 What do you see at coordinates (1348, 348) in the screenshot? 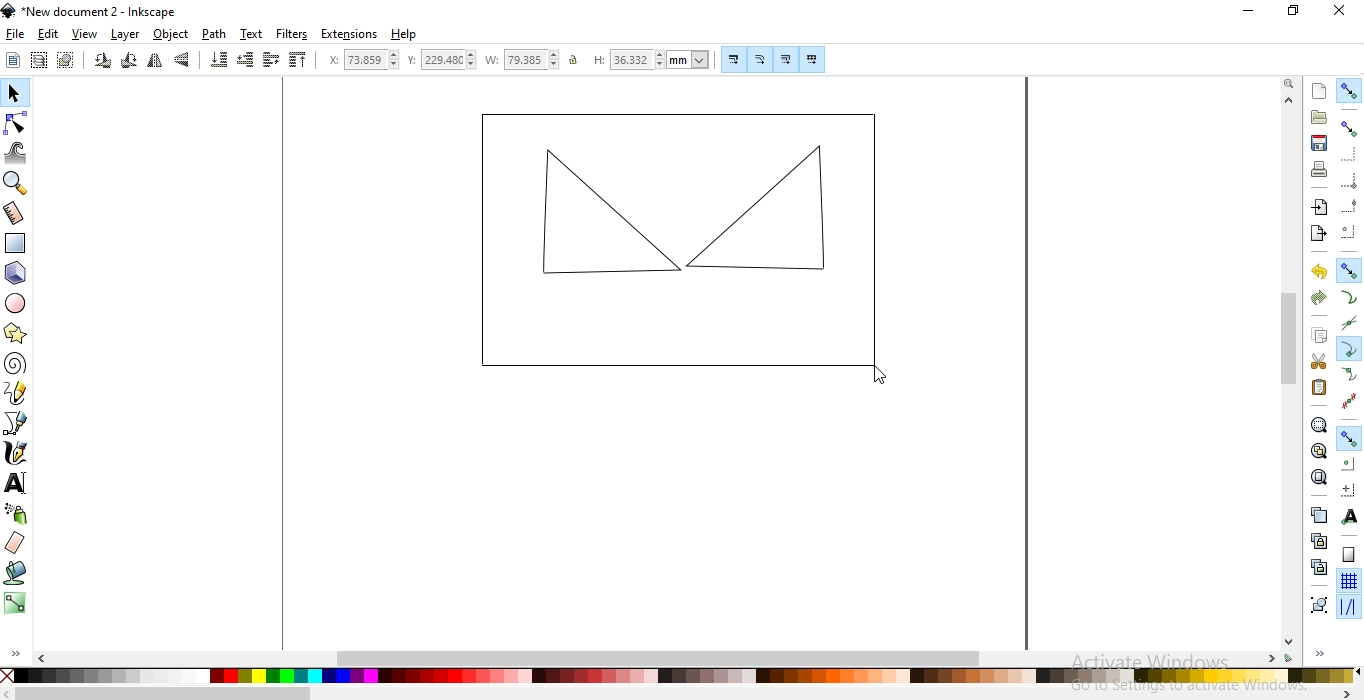
I see `snap cusp nodes incl. rectangle corners` at bounding box center [1348, 348].